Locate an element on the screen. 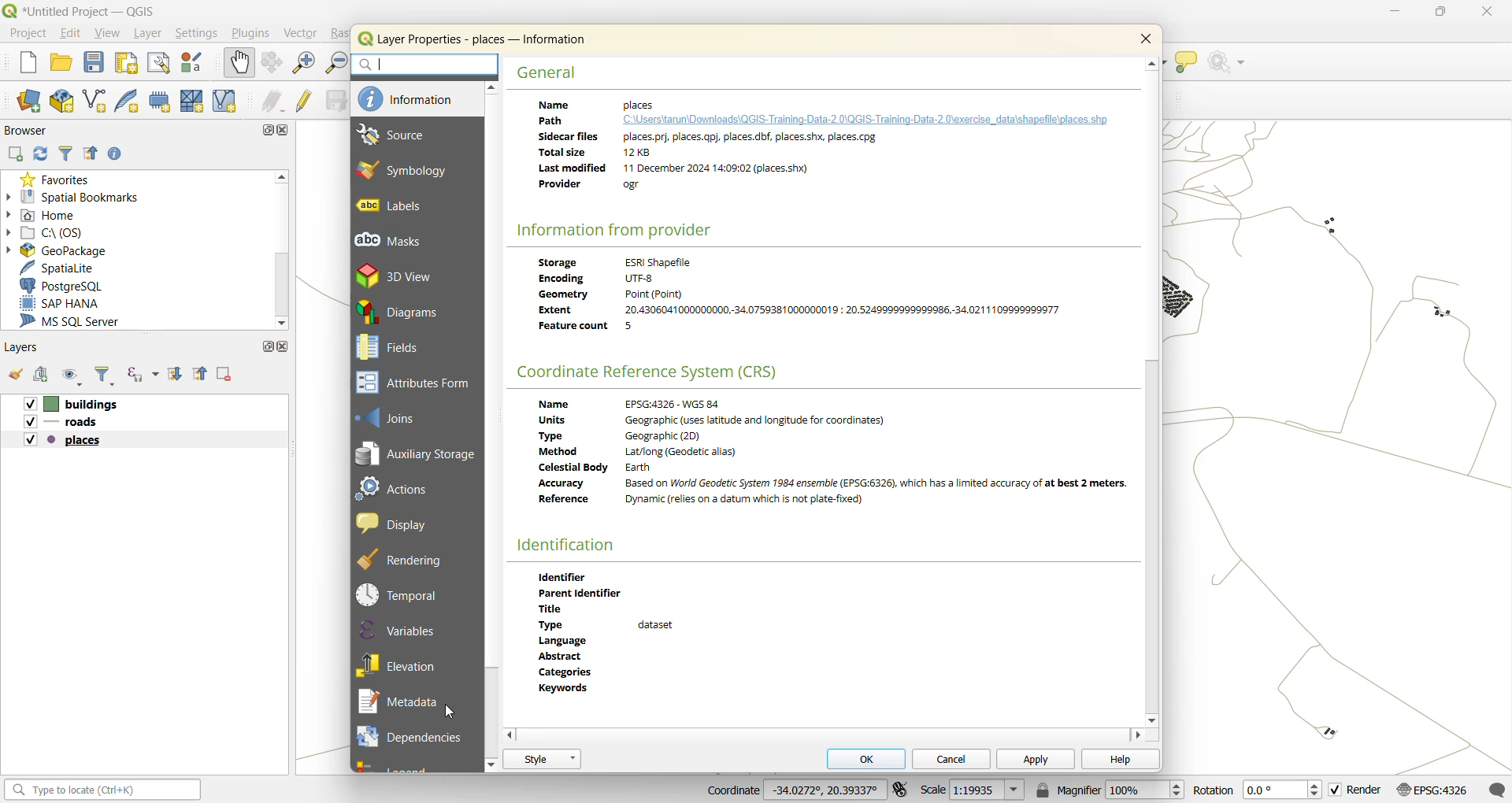 Image resolution: width=1512 pixels, height=803 pixels. maximize is located at coordinates (265, 346).